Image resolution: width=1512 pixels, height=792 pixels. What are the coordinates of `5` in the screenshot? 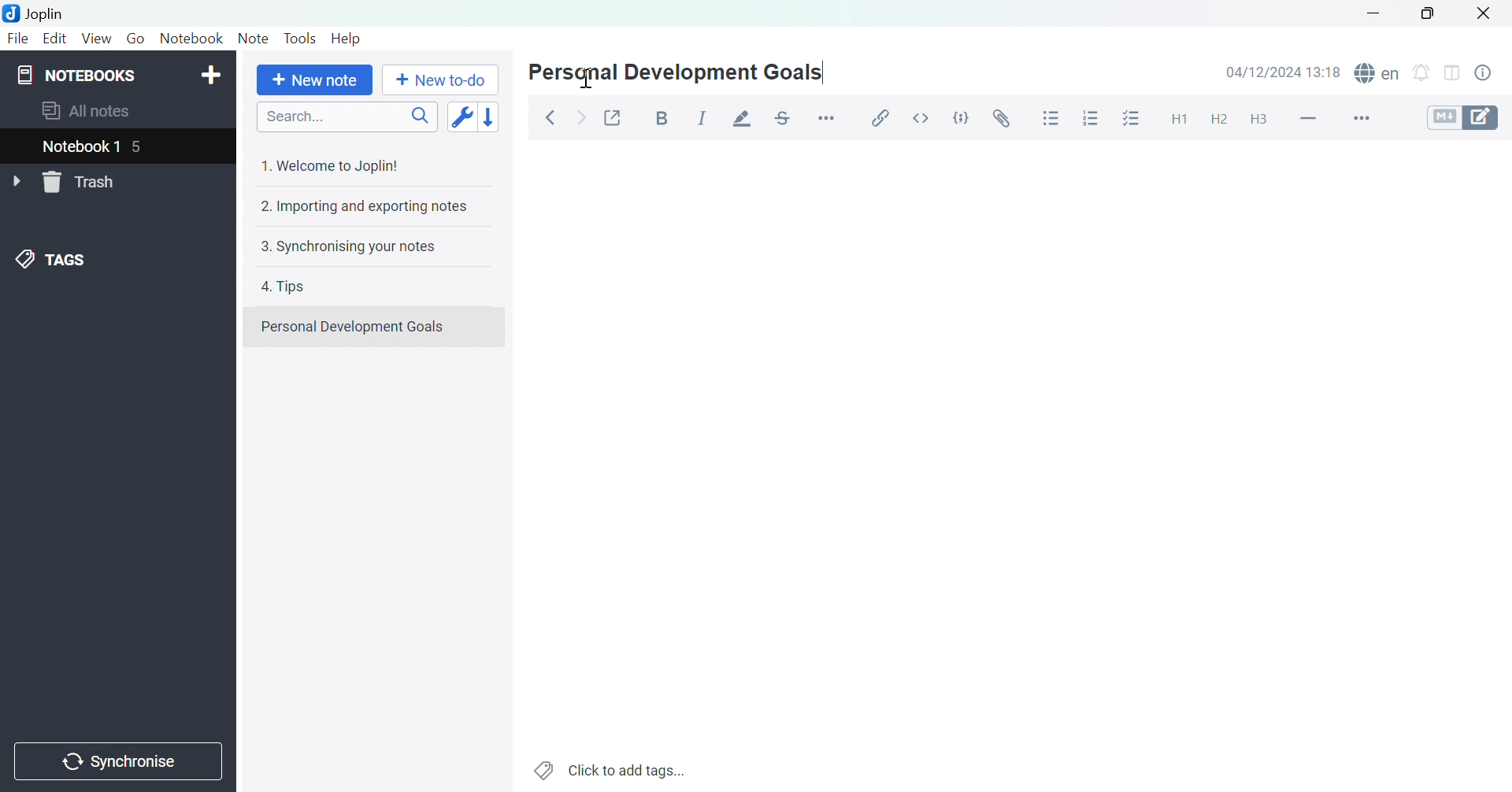 It's located at (144, 146).